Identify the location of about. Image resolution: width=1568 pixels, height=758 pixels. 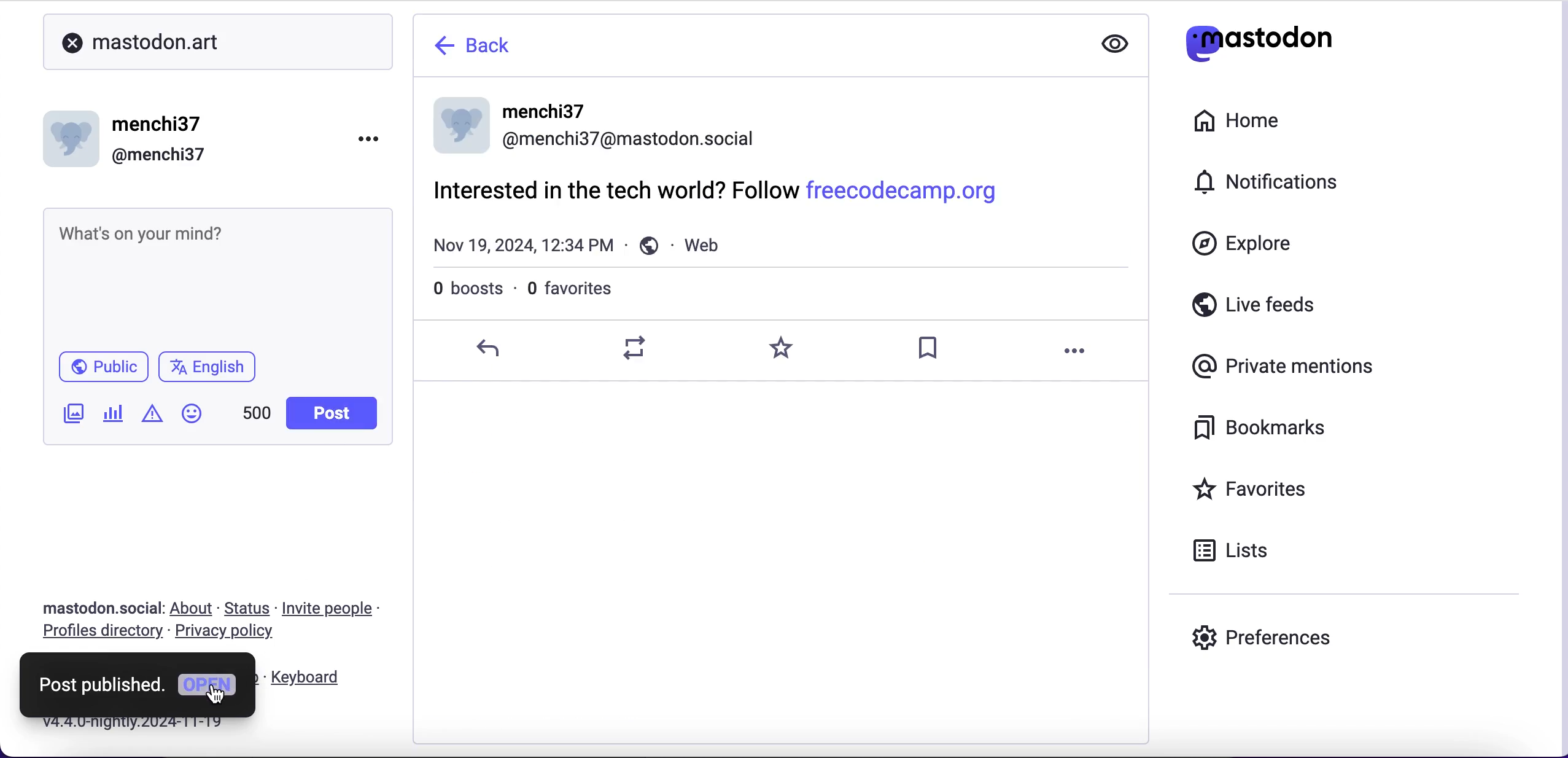
(192, 607).